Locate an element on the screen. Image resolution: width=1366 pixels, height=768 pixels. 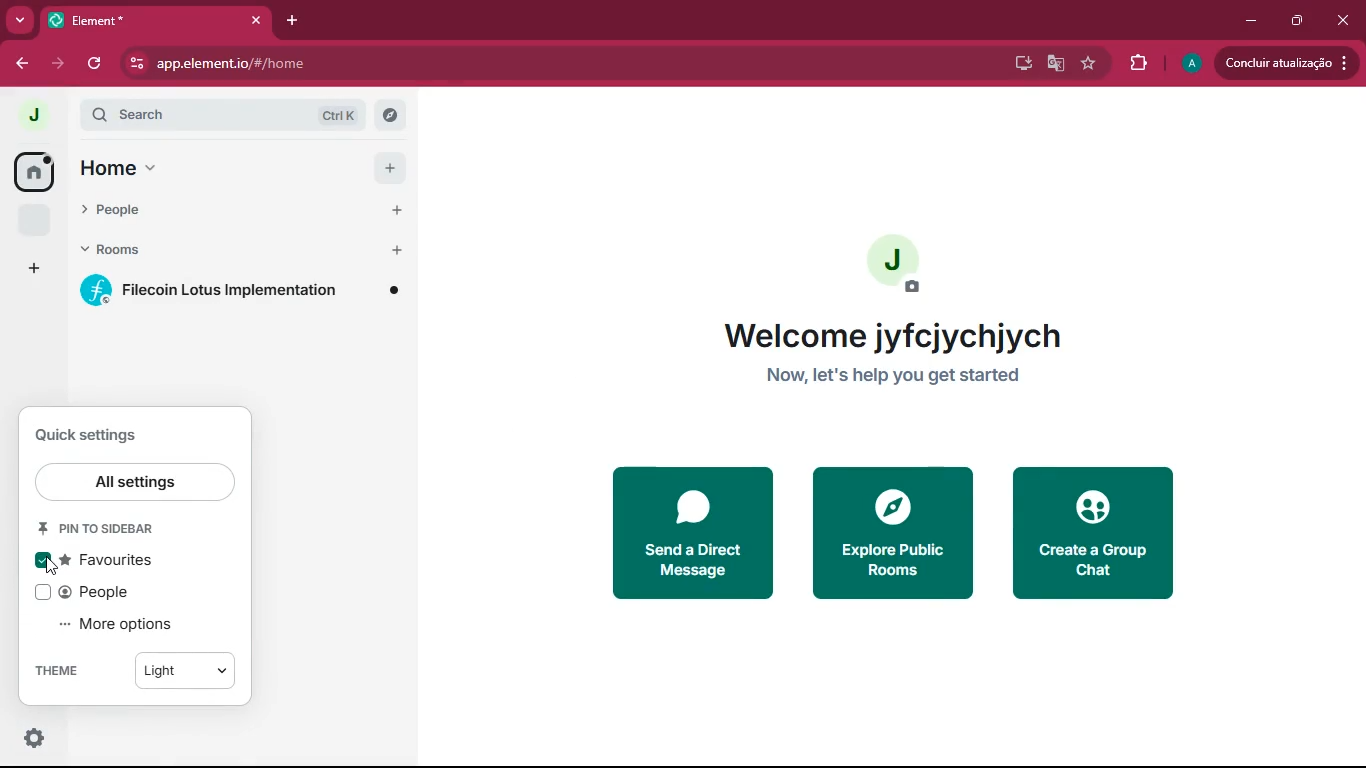
explore  is located at coordinates (891, 532).